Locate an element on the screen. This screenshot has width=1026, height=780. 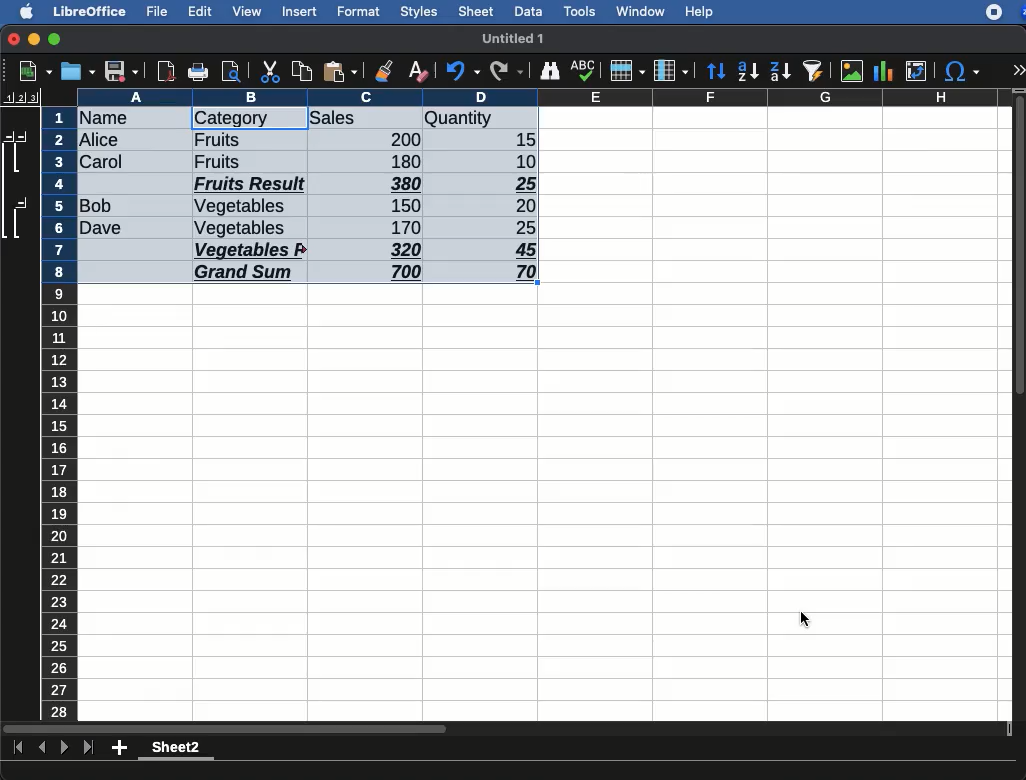
Dave is located at coordinates (104, 228).